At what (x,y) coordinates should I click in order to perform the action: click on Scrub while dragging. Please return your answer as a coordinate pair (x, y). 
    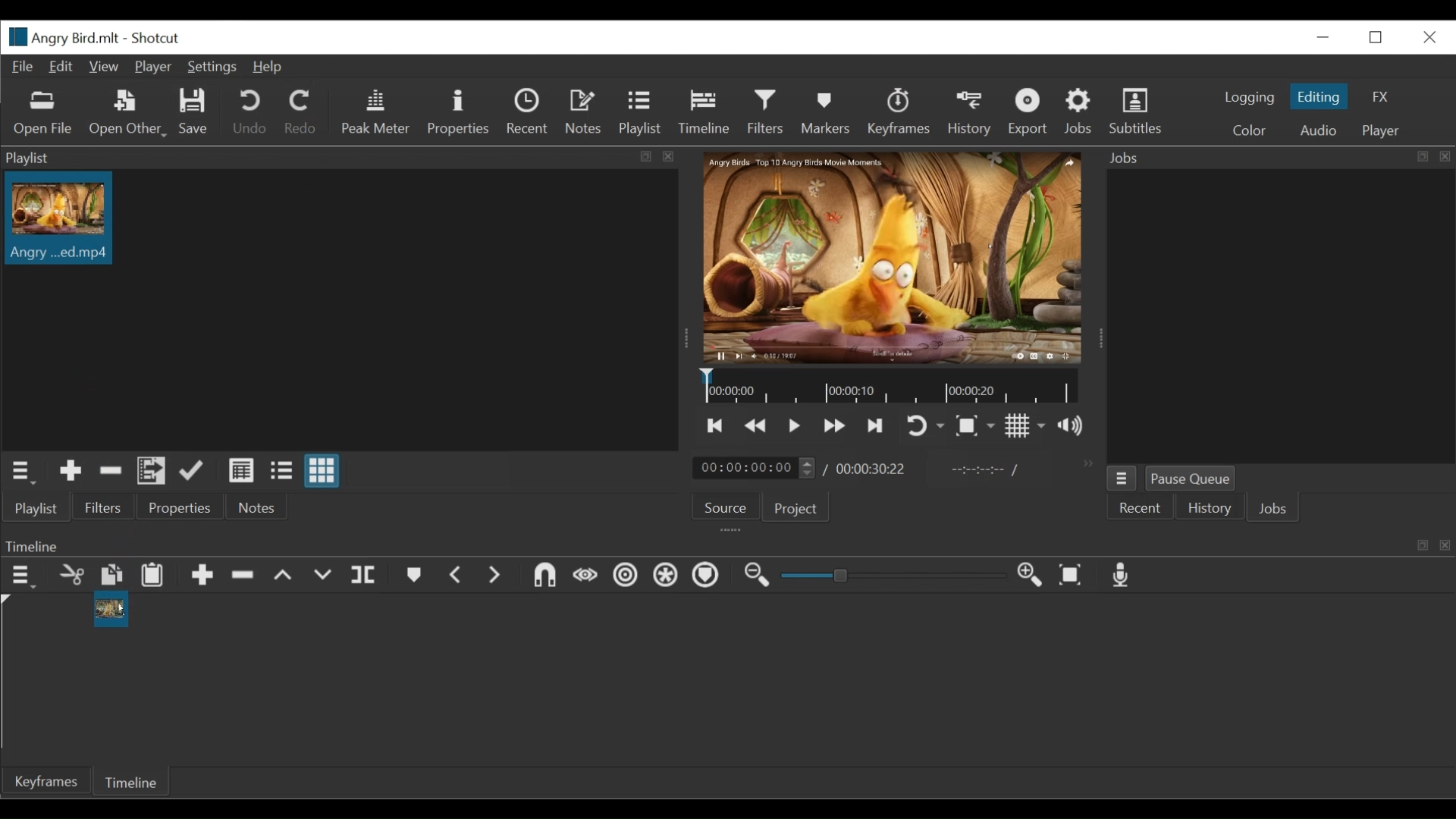
    Looking at the image, I should click on (586, 578).